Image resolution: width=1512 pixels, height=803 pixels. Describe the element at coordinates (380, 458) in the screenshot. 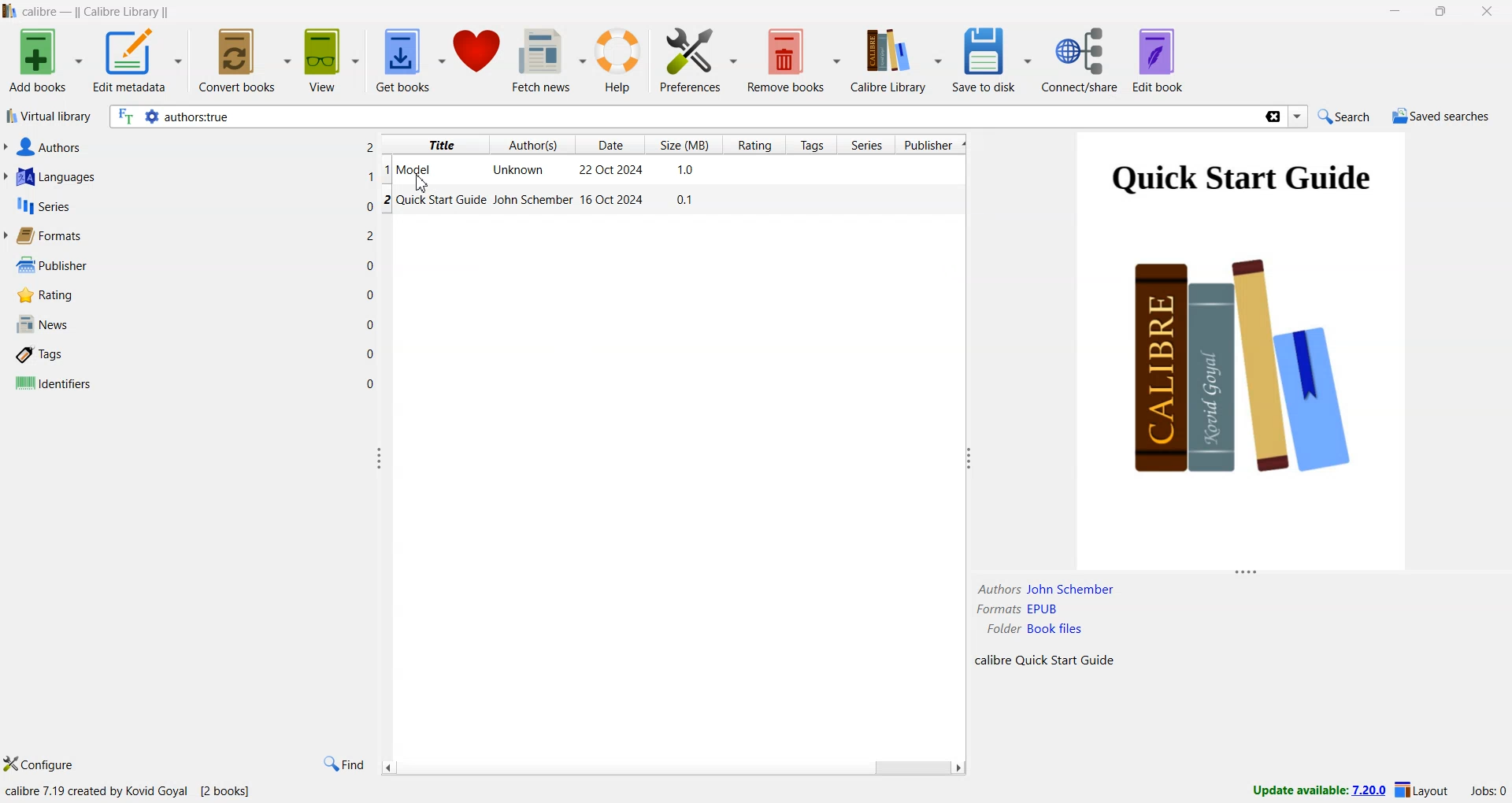

I see `customize width` at that location.